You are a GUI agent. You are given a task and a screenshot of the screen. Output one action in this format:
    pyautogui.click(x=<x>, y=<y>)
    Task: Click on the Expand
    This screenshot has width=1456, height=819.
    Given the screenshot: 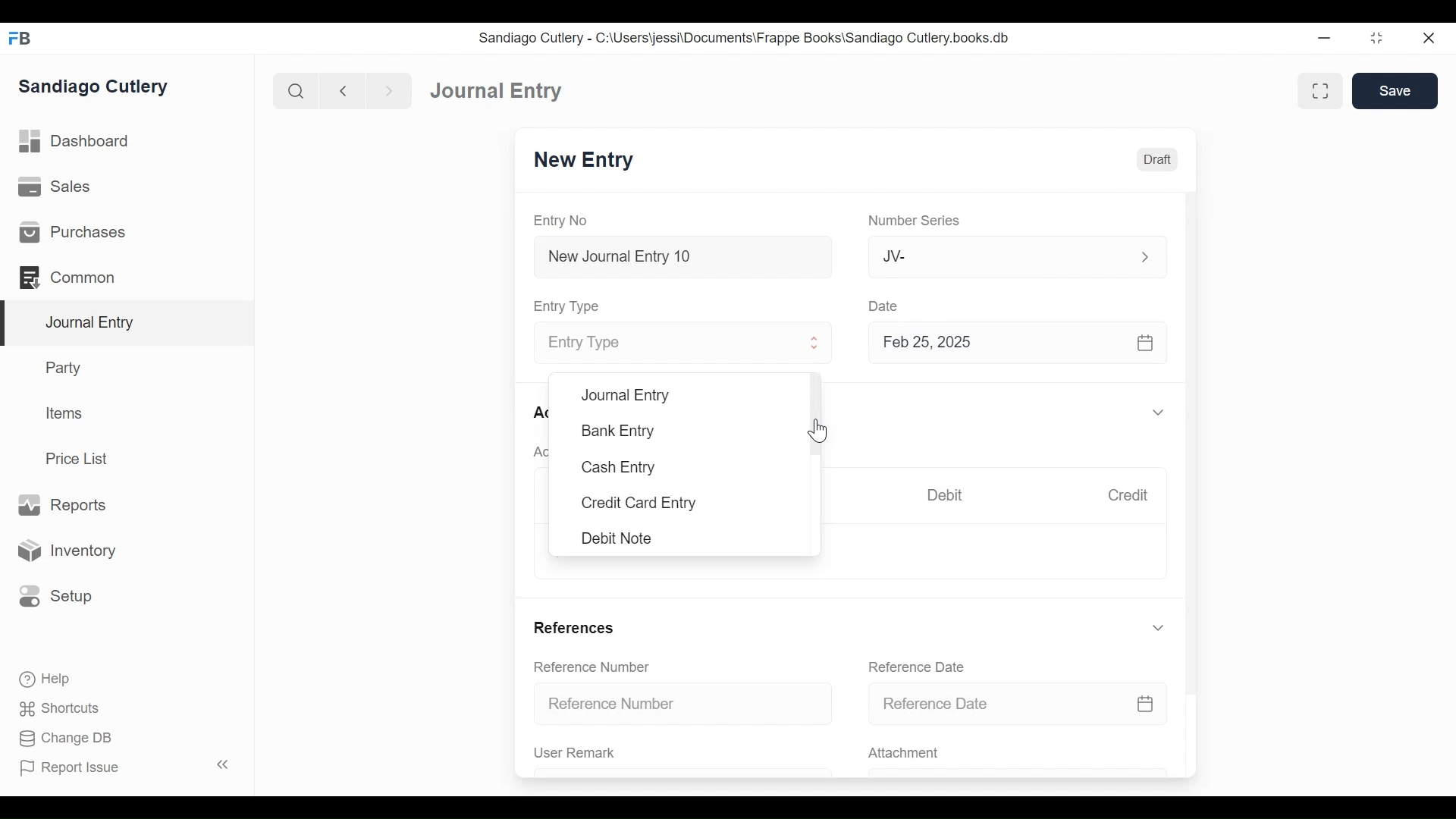 What is the action you would take?
    pyautogui.click(x=816, y=345)
    